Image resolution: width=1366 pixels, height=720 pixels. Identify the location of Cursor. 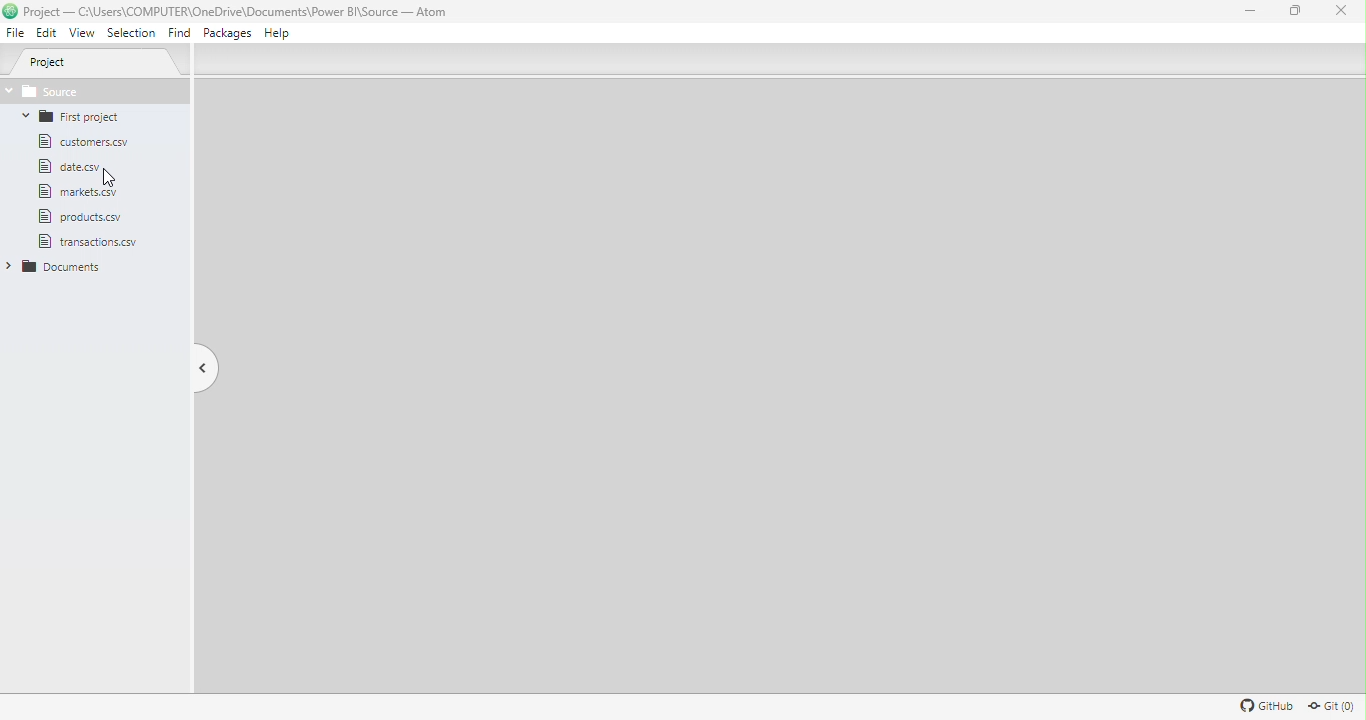
(109, 176).